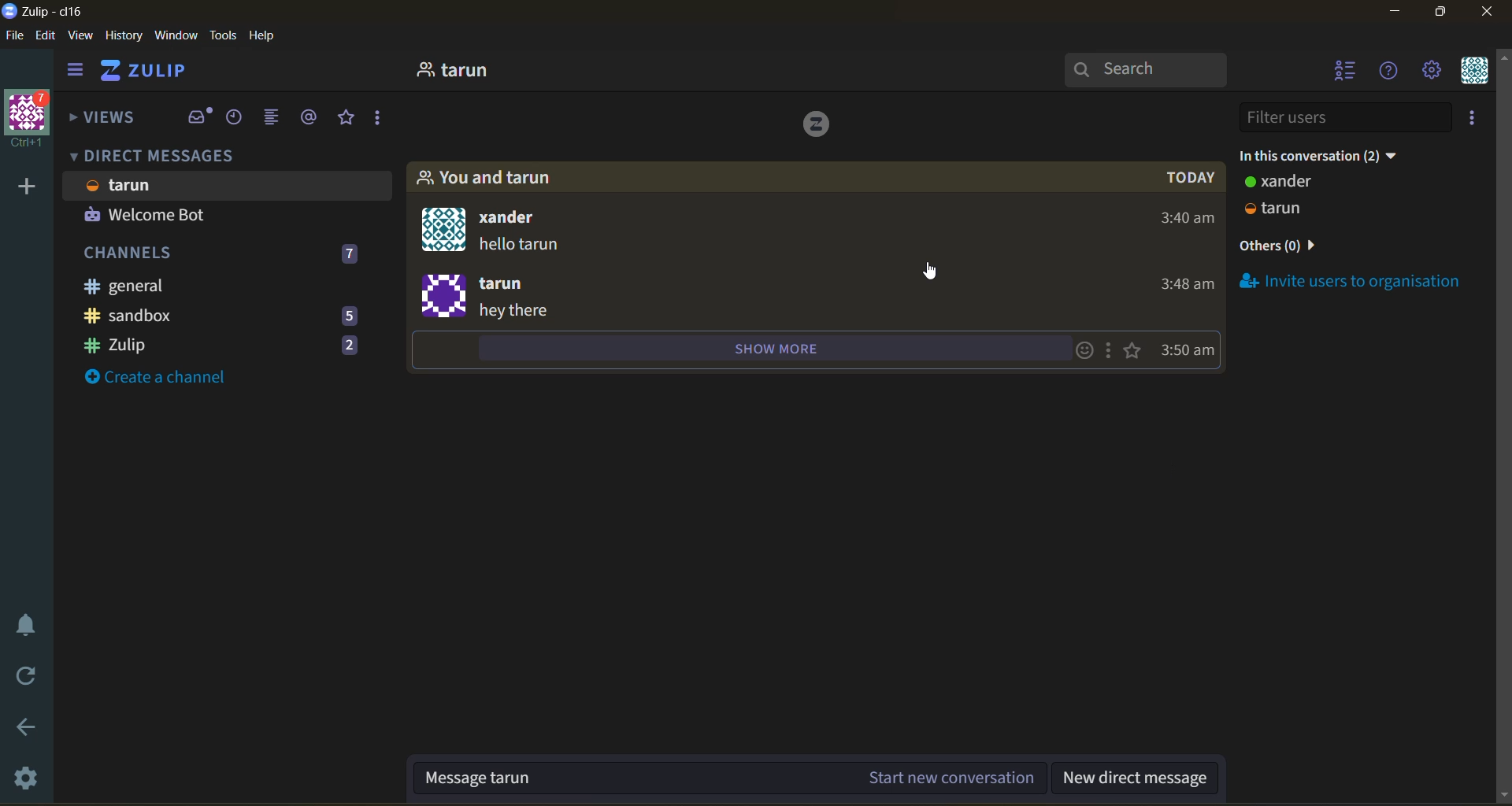 The width and height of the screenshot is (1512, 806). I want to click on invite users to organisation, so click(1352, 281).